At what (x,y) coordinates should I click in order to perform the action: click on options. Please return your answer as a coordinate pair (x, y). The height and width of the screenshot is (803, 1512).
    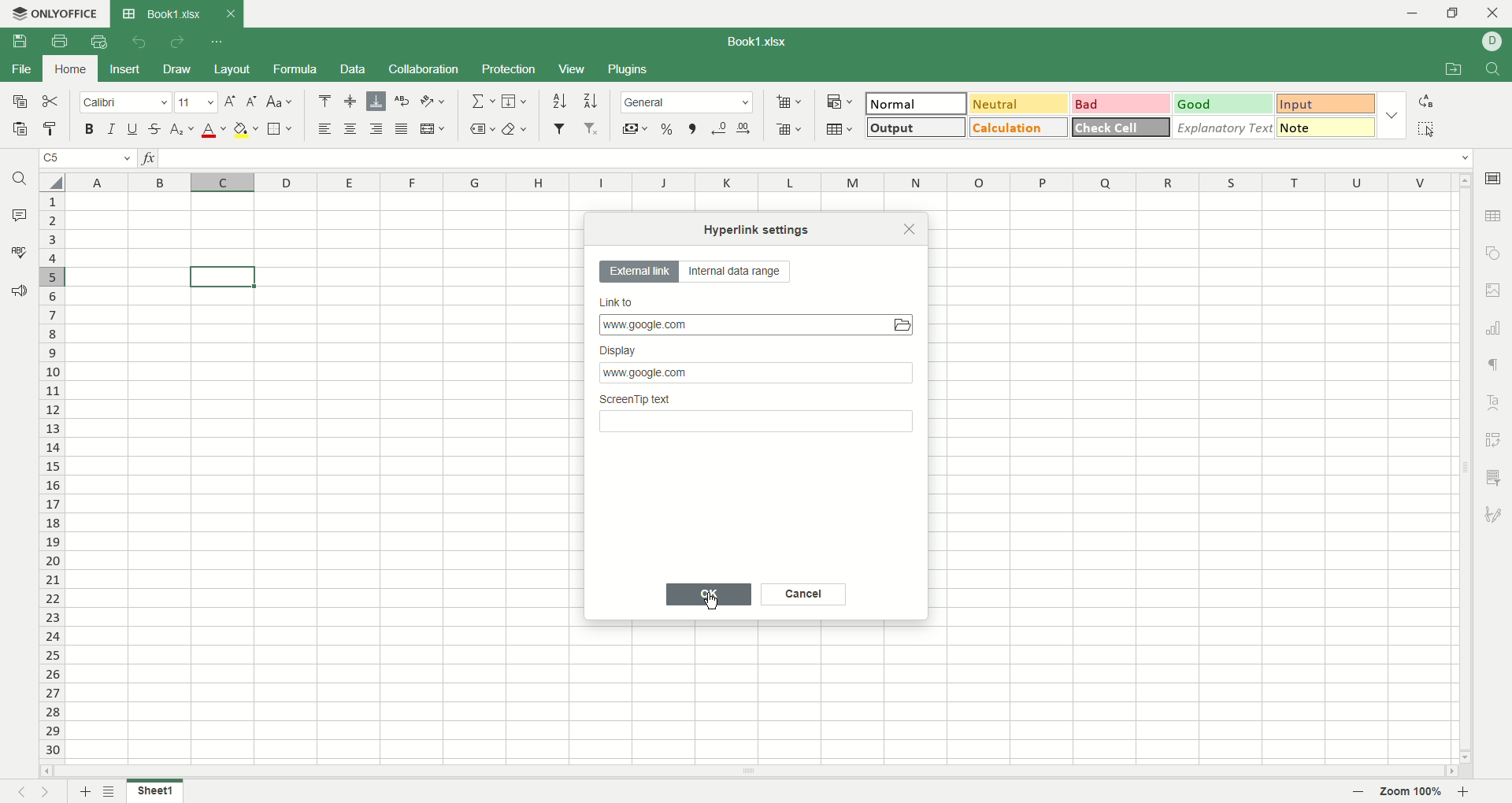
    Looking at the image, I should click on (1395, 113).